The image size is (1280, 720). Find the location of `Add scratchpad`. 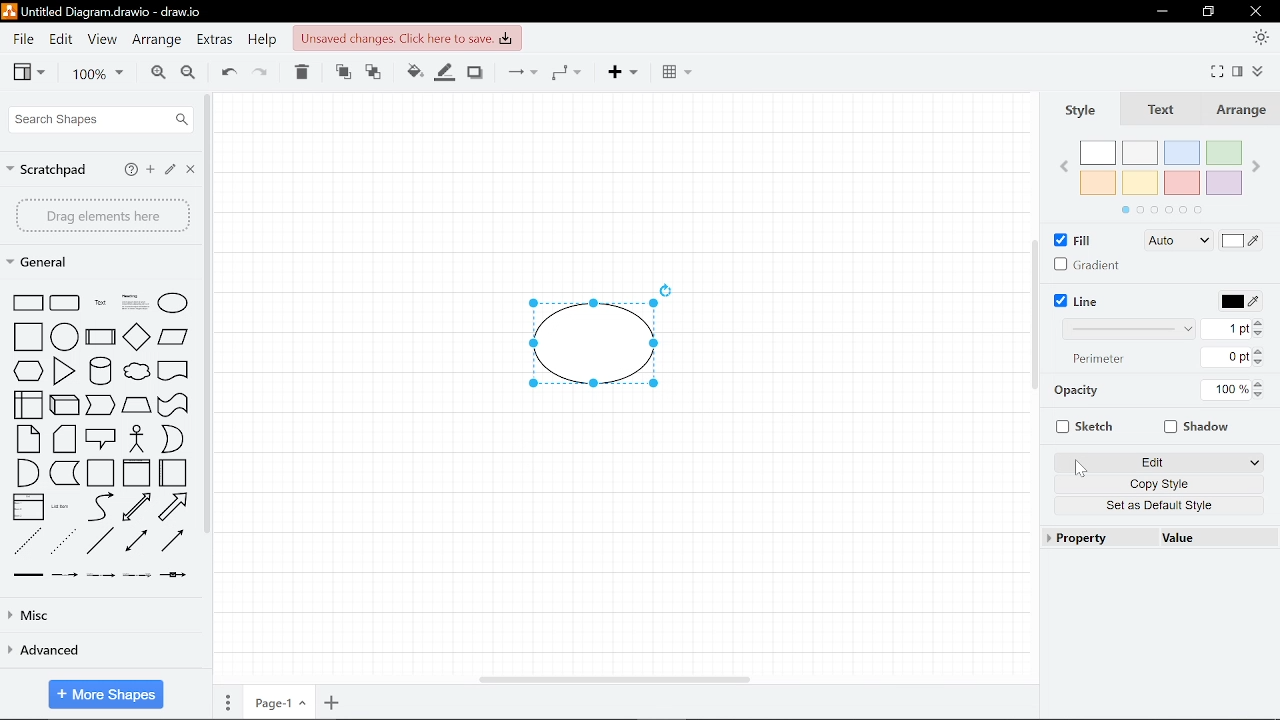

Add scratchpad is located at coordinates (152, 169).